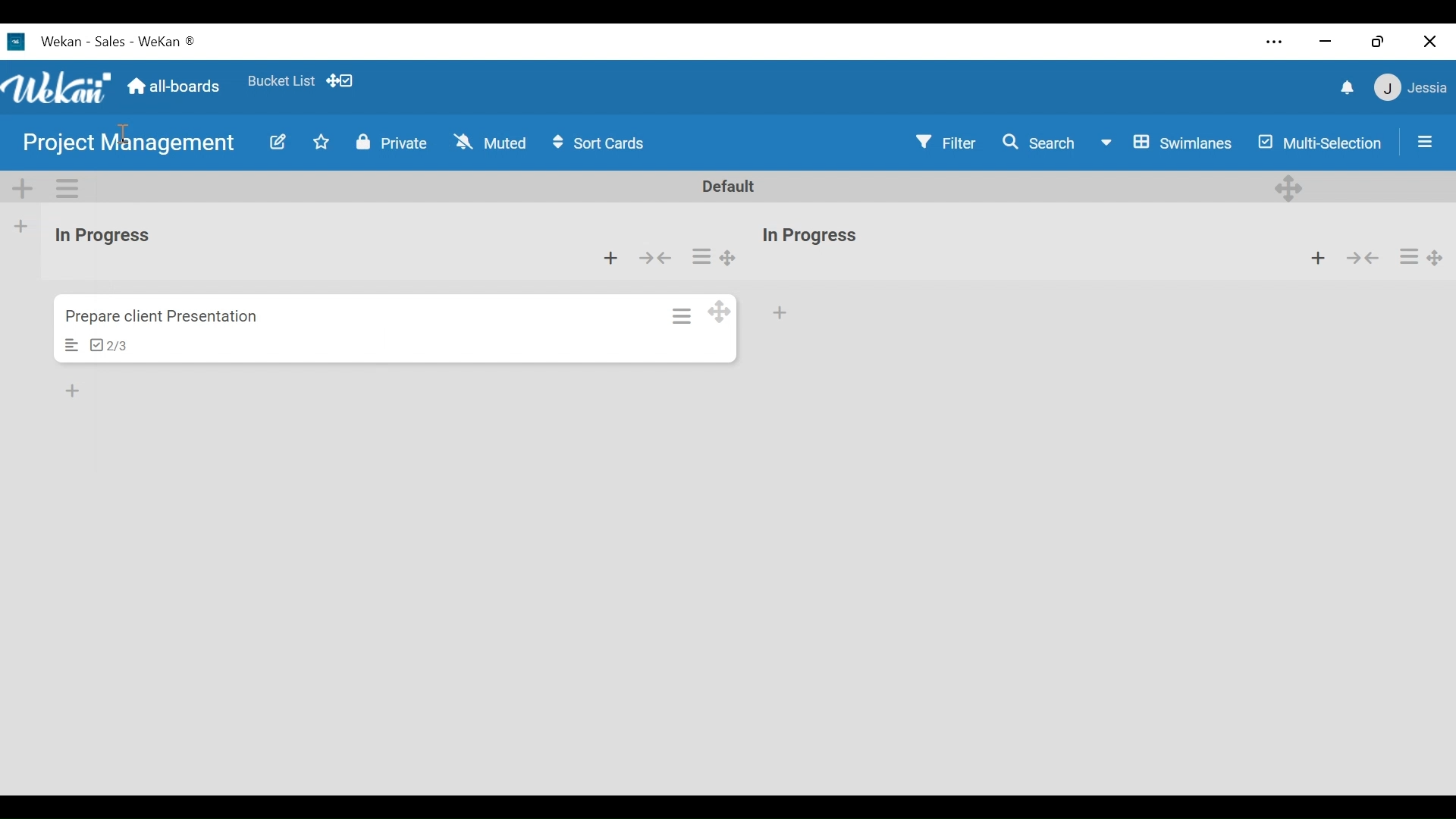 This screenshot has height=819, width=1456. I want to click on Desktop drag handles, so click(1291, 188).